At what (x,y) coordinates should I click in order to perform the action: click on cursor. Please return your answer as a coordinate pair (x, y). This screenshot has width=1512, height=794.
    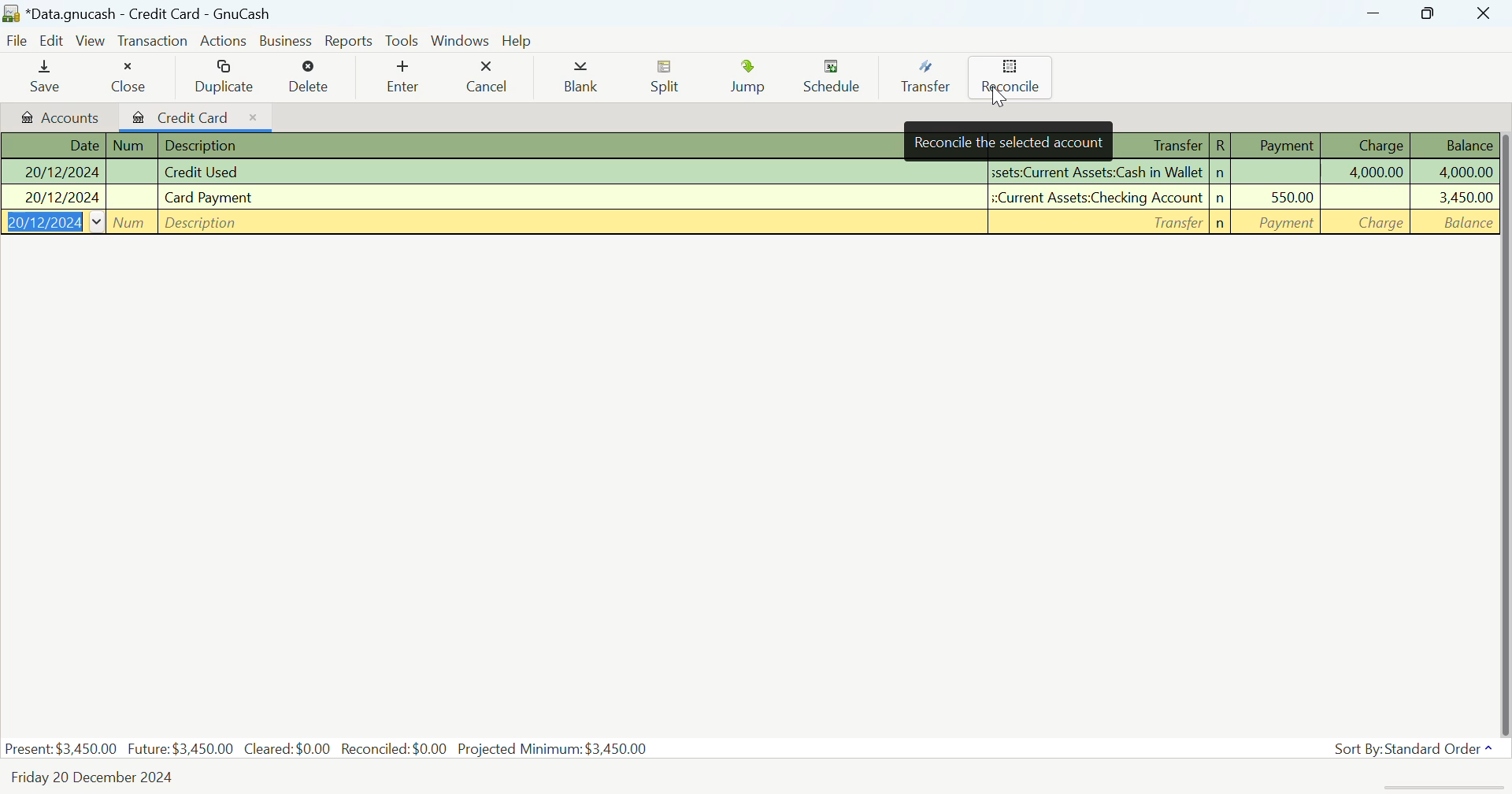
    Looking at the image, I should click on (999, 101).